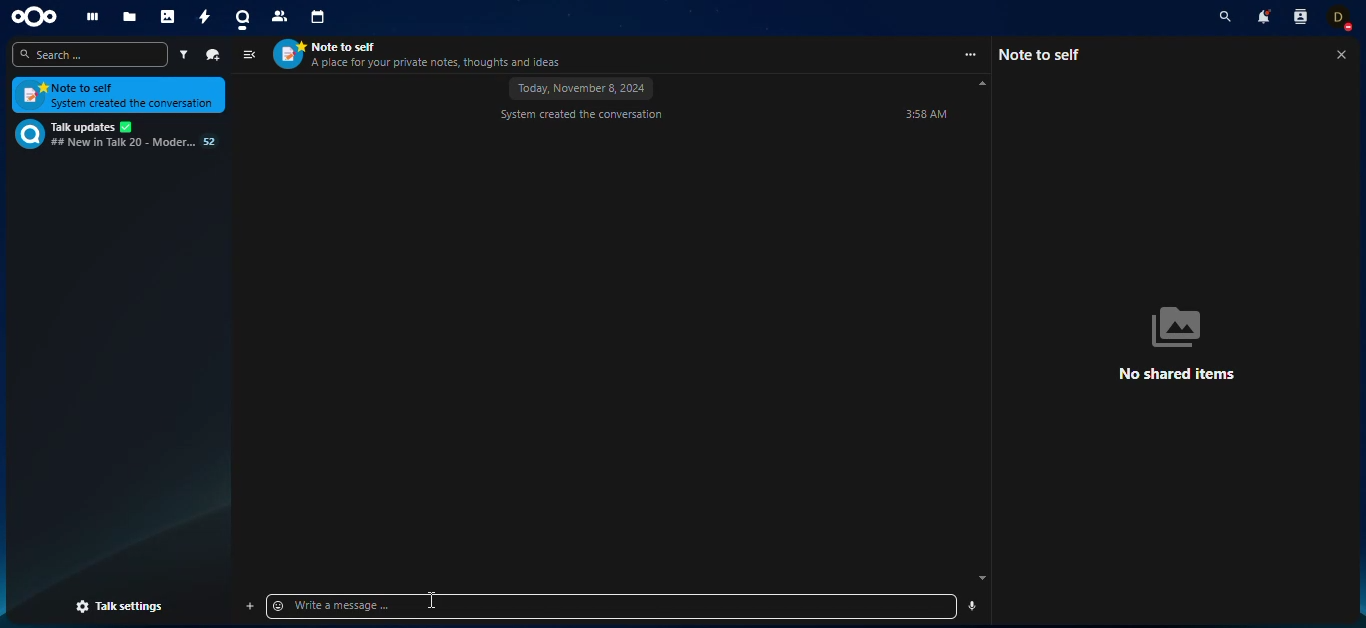 The image size is (1366, 628). Describe the element at coordinates (982, 579) in the screenshot. I see `scroll down` at that location.